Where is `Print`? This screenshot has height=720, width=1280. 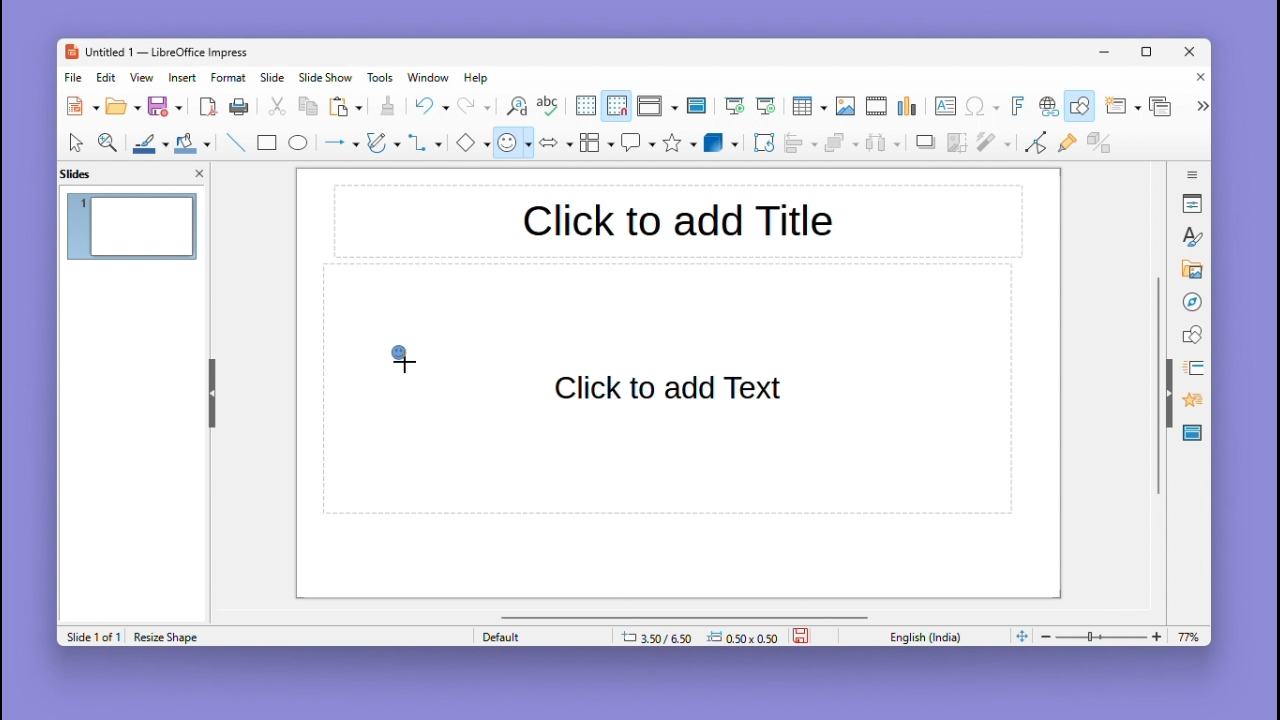 Print is located at coordinates (239, 107).